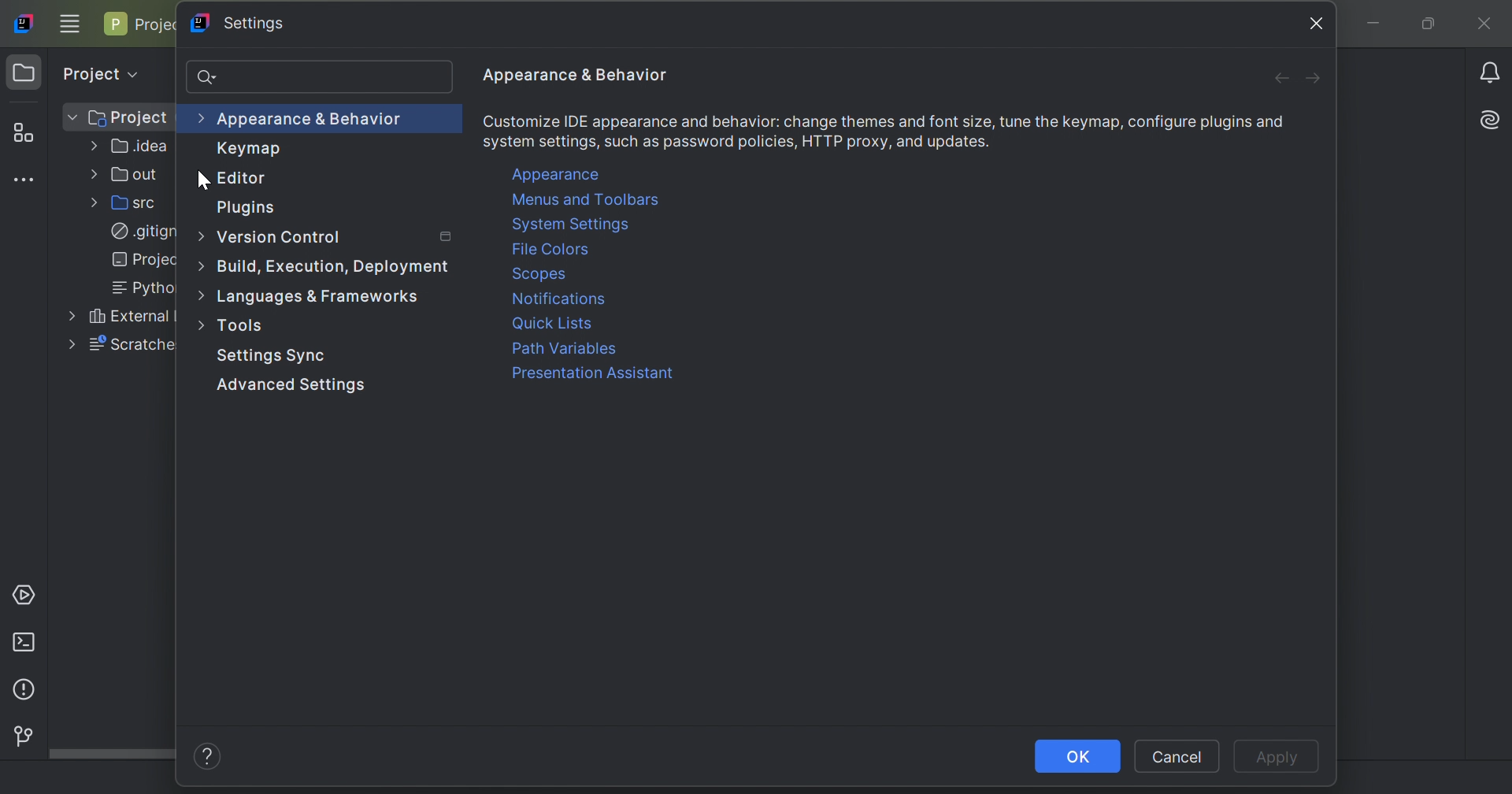 The image size is (1512, 794). What do you see at coordinates (1177, 756) in the screenshot?
I see `Cancel` at bounding box center [1177, 756].